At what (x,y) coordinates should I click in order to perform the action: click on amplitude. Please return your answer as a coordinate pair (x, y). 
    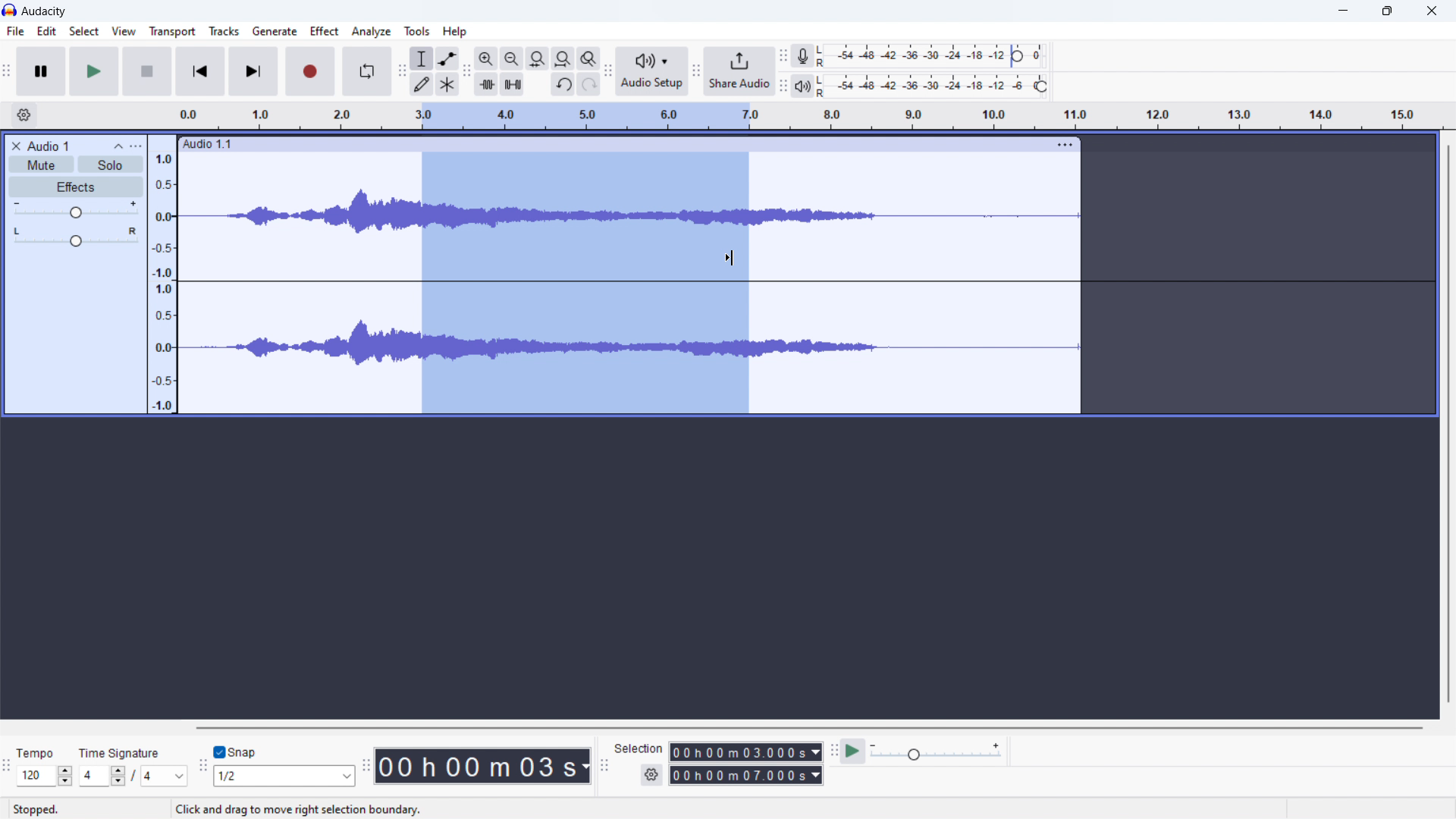
    Looking at the image, I should click on (164, 283).